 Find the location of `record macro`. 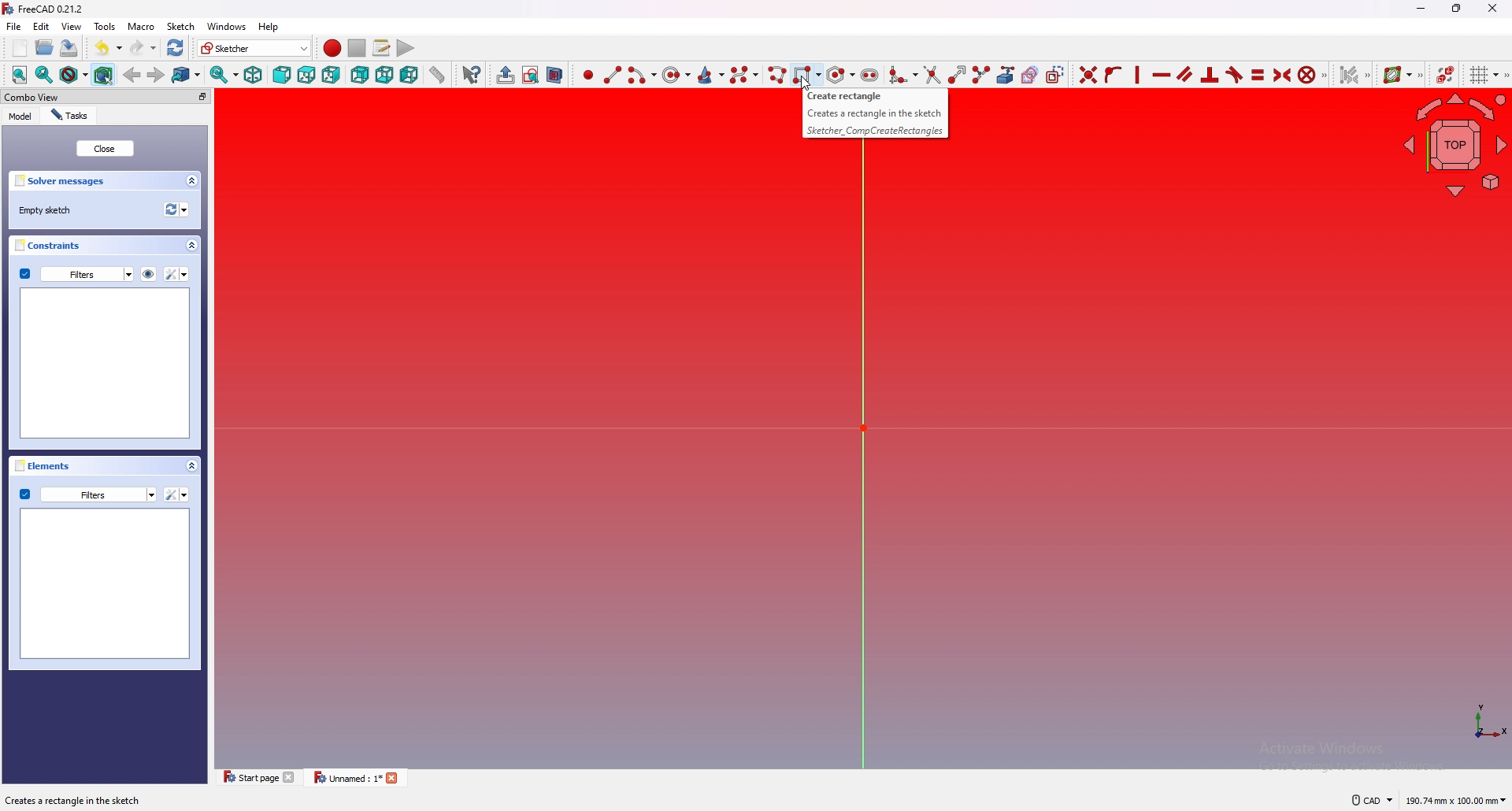

record macro is located at coordinates (333, 48).